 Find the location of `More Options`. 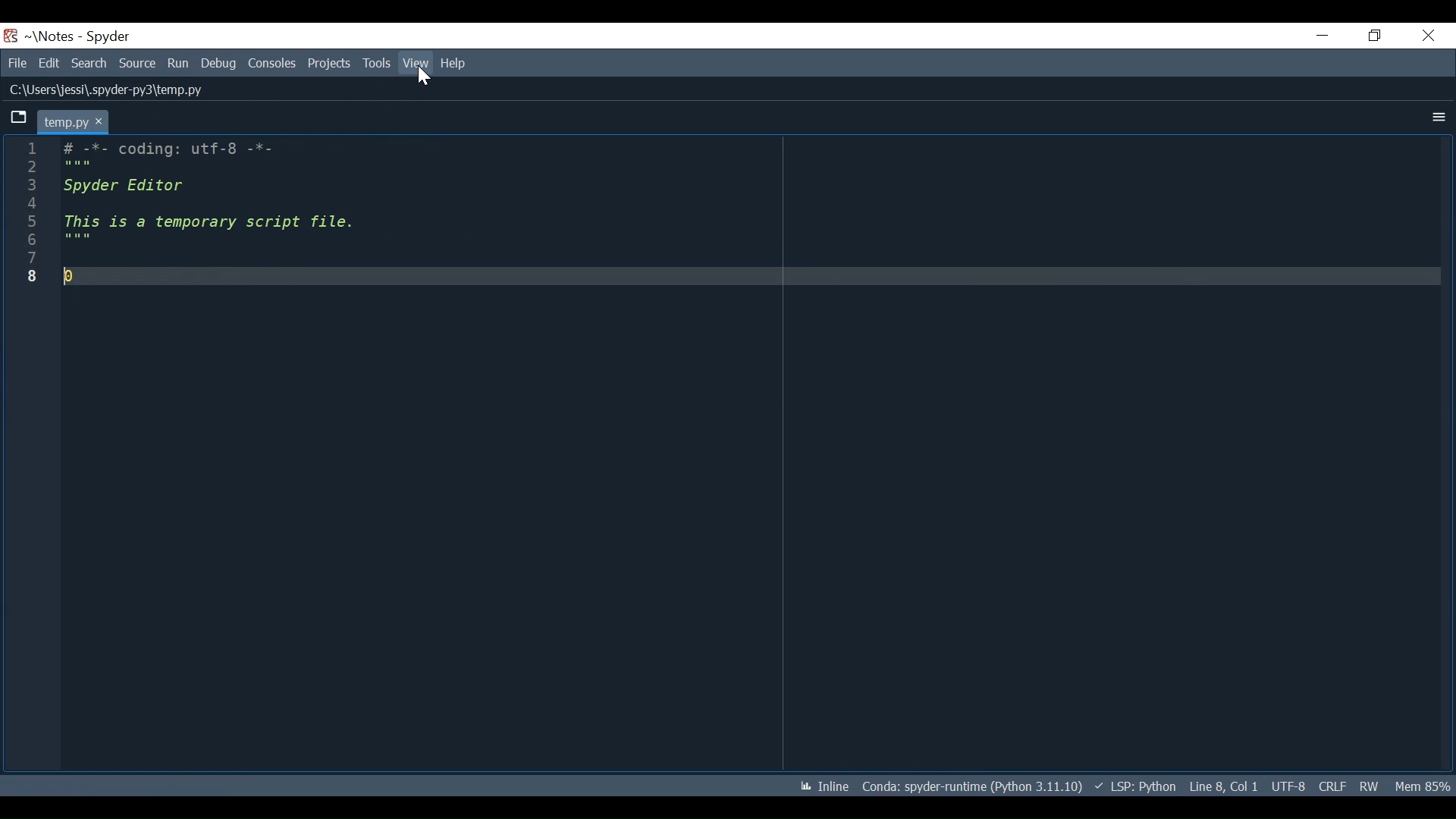

More Options is located at coordinates (1437, 118).